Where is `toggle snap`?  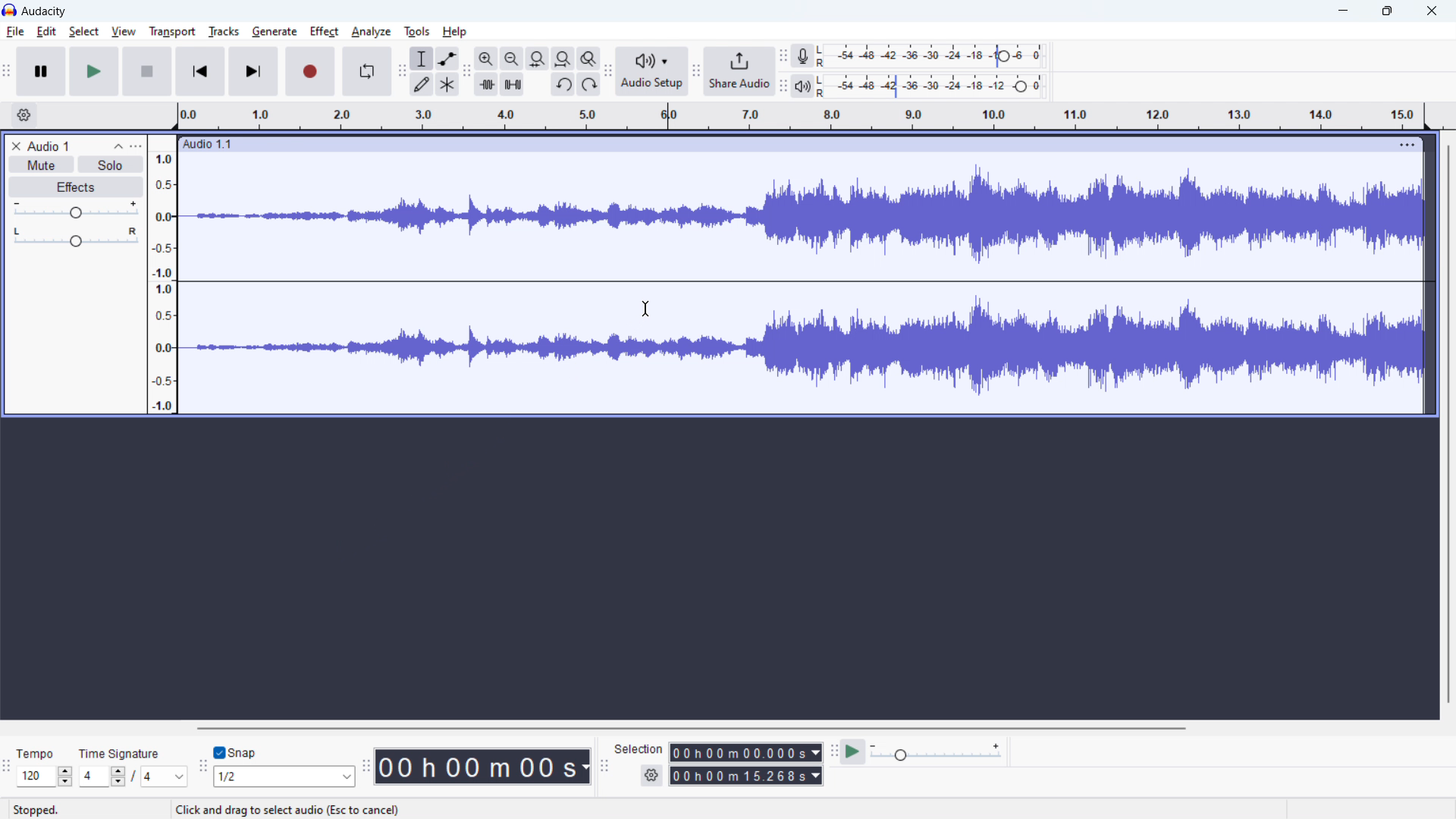 toggle snap is located at coordinates (235, 753).